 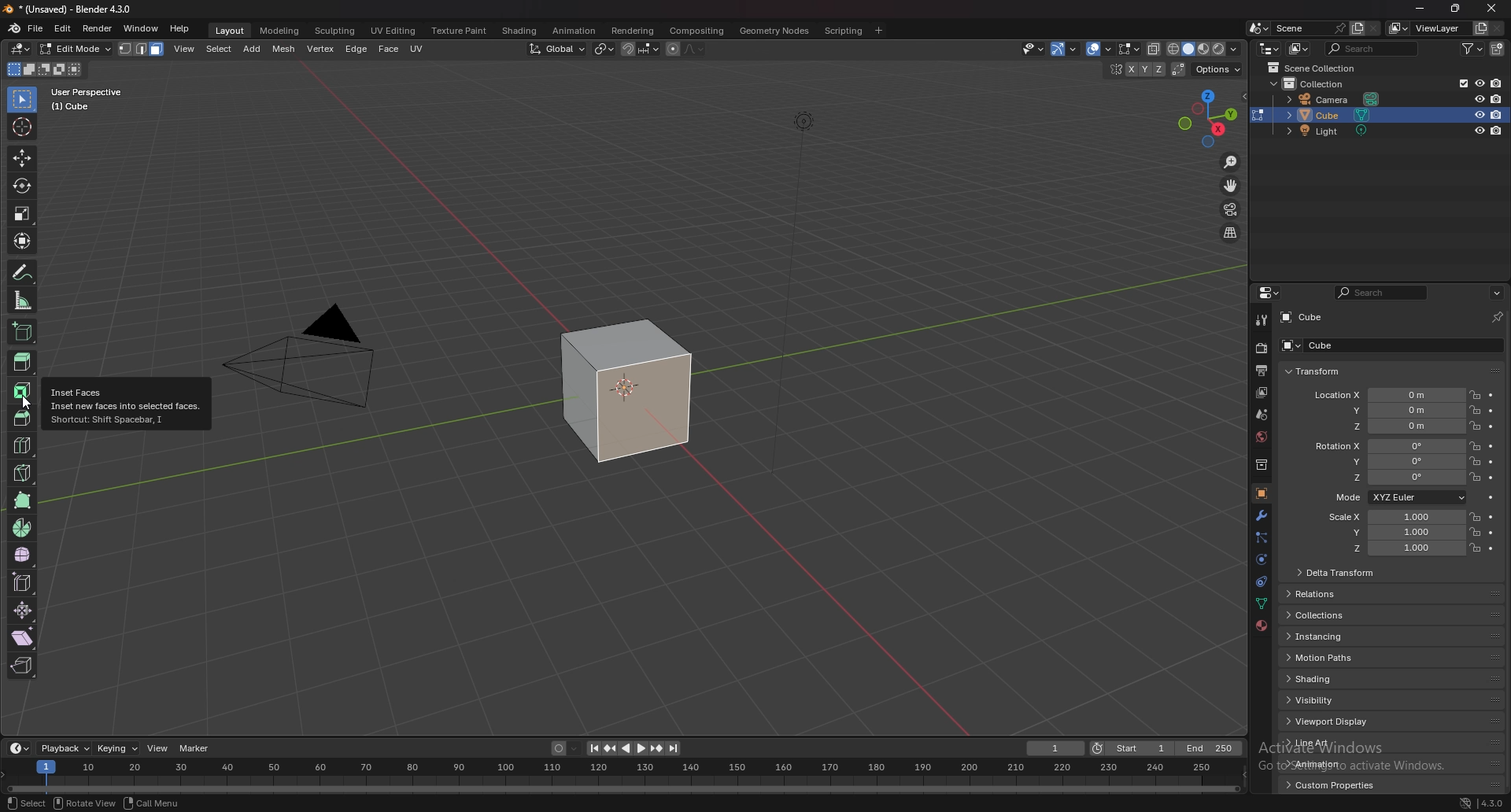 What do you see at coordinates (24, 300) in the screenshot?
I see `measure` at bounding box center [24, 300].